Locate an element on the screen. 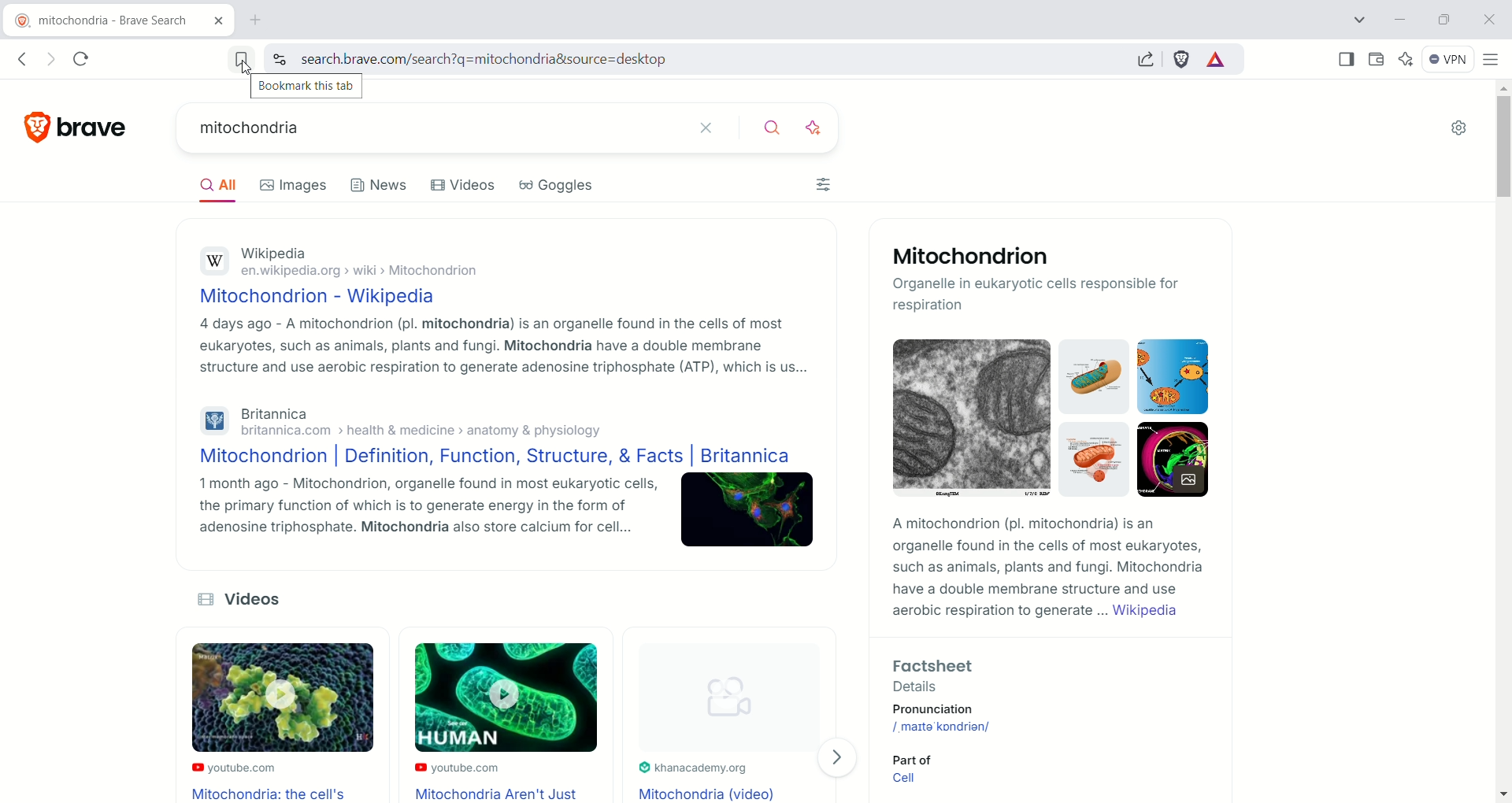 The height and width of the screenshot is (803, 1512). wallet is located at coordinates (1377, 60).